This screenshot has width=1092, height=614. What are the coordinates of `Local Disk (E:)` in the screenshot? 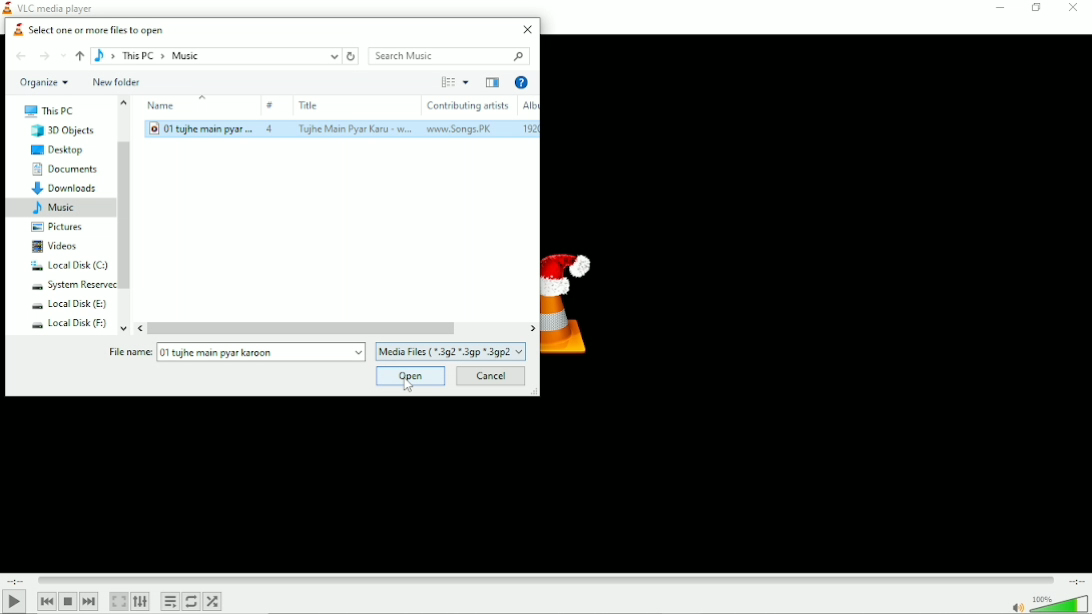 It's located at (66, 305).